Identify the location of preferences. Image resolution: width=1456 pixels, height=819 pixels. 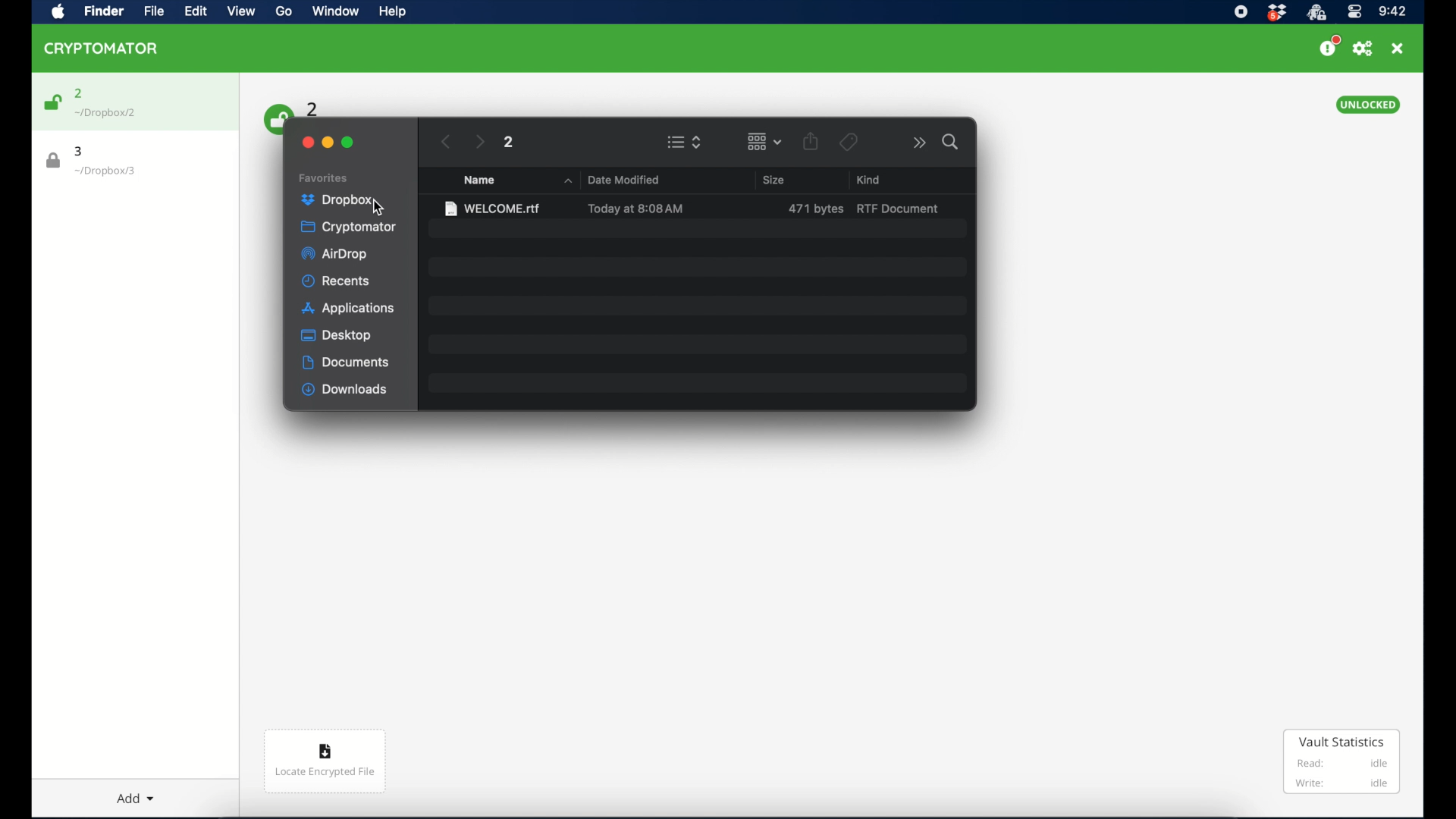
(1363, 49).